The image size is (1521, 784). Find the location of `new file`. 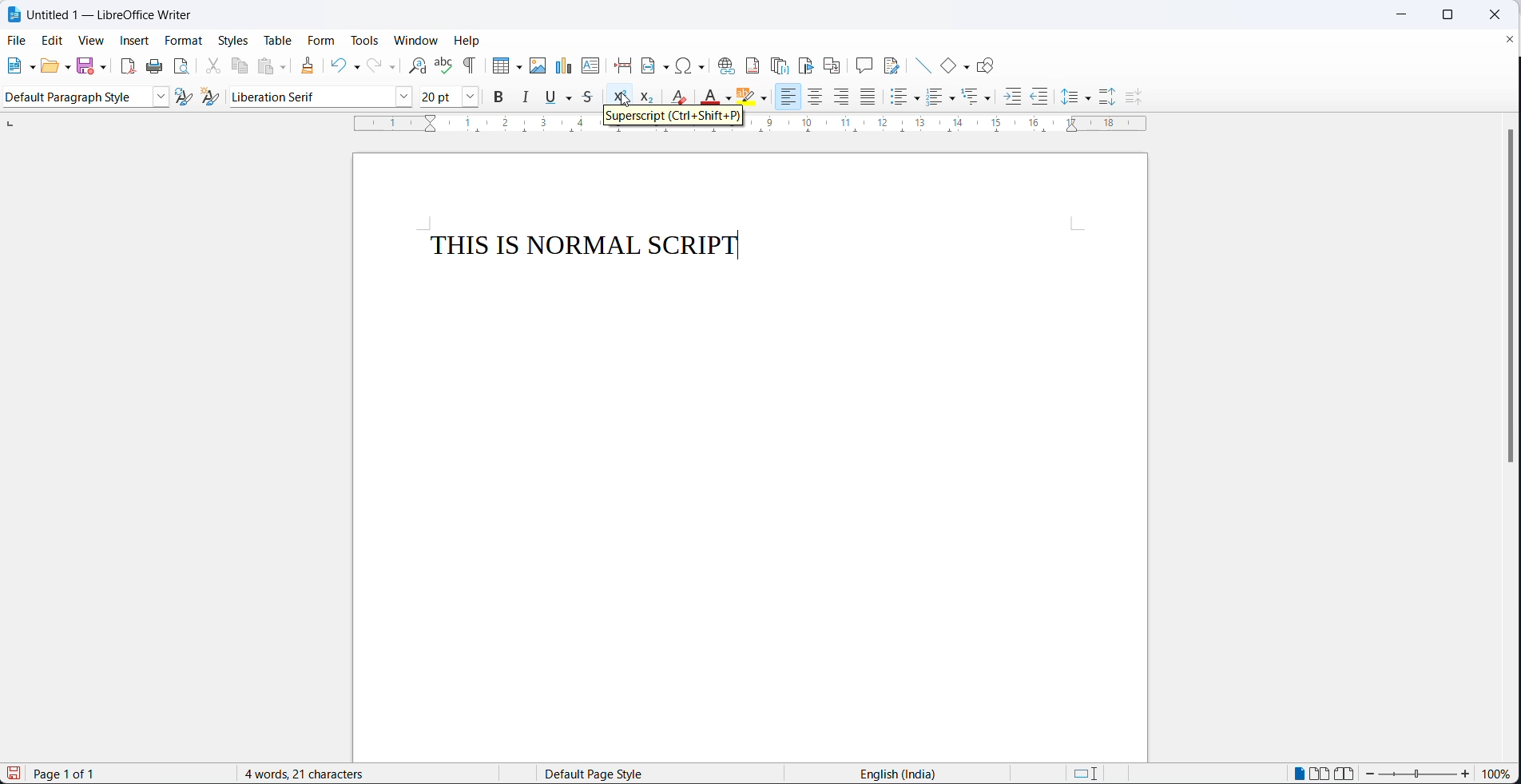

new file is located at coordinates (10, 67).